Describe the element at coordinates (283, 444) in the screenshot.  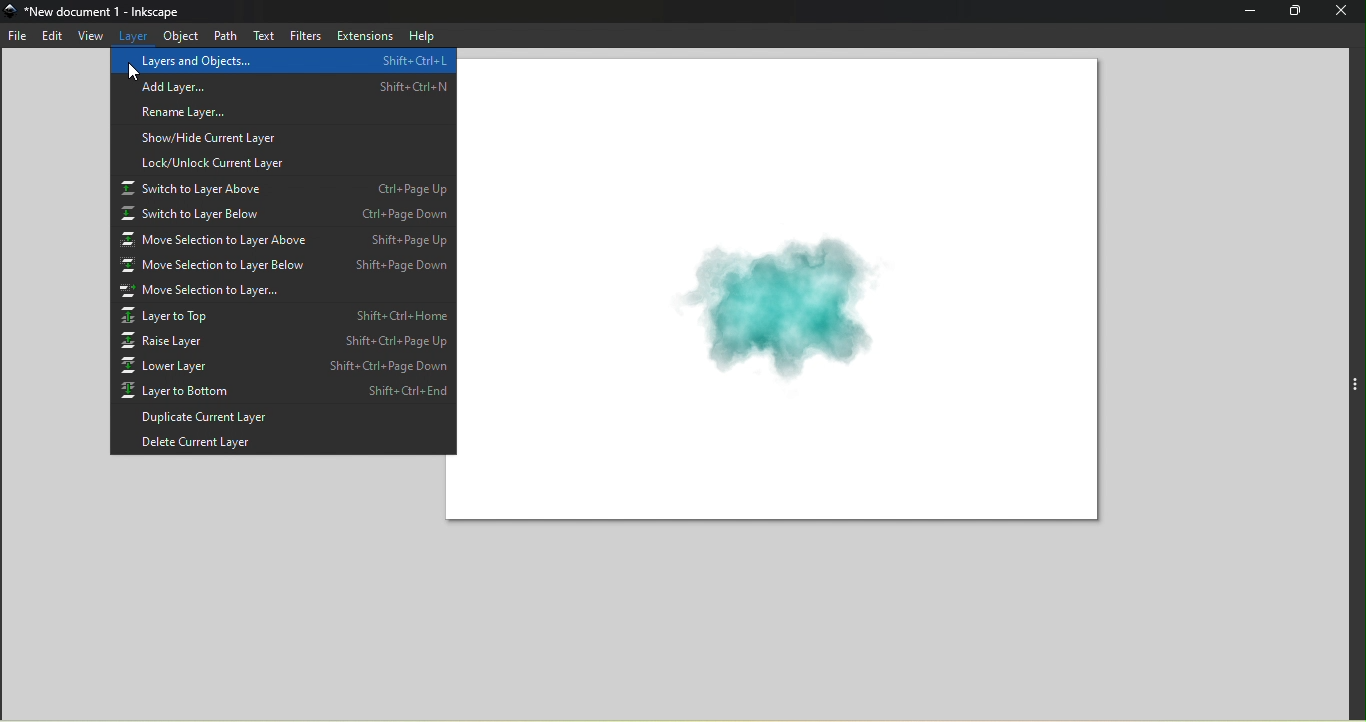
I see `Delete current layer` at that location.